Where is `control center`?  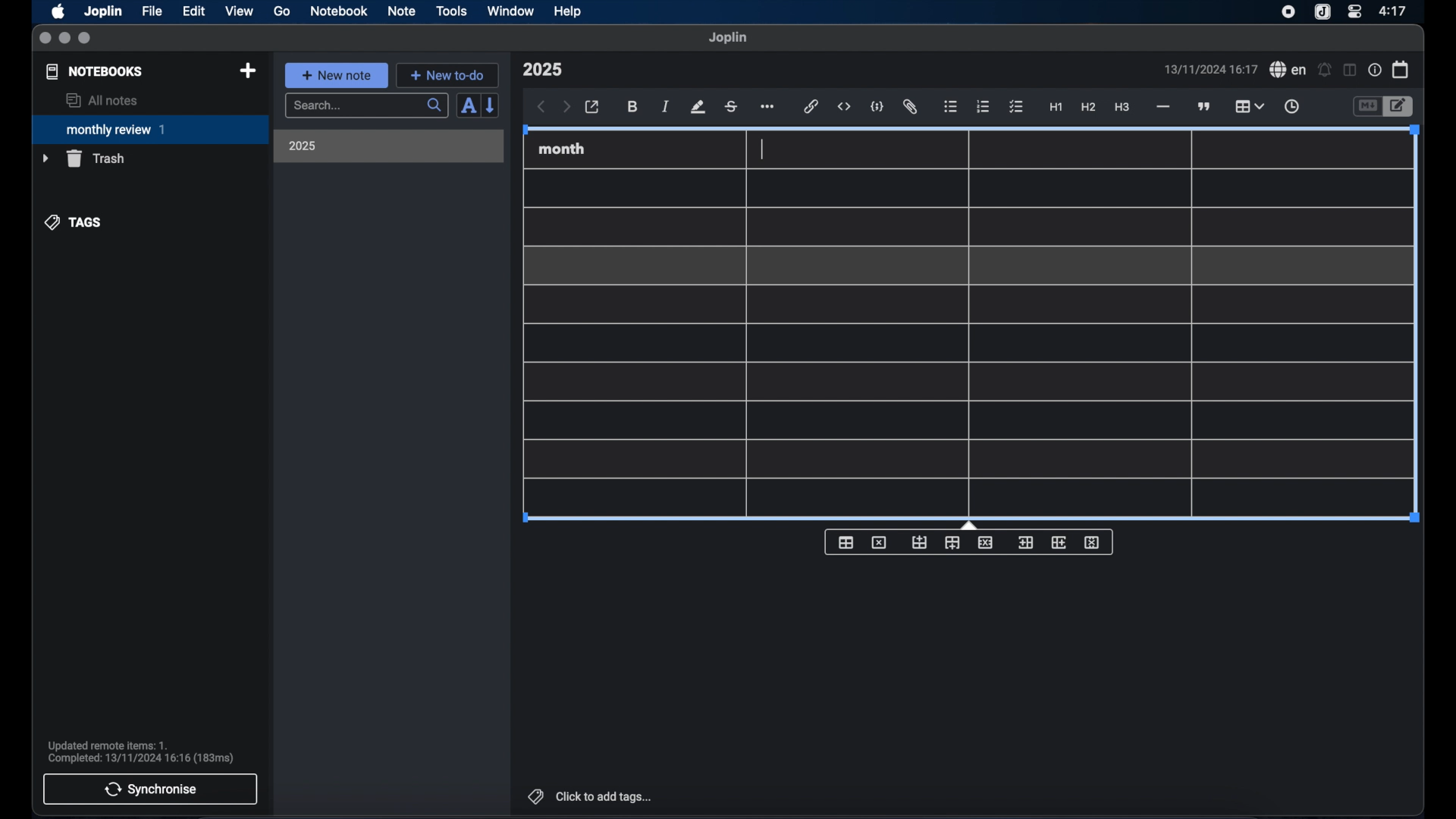
control center is located at coordinates (1354, 11).